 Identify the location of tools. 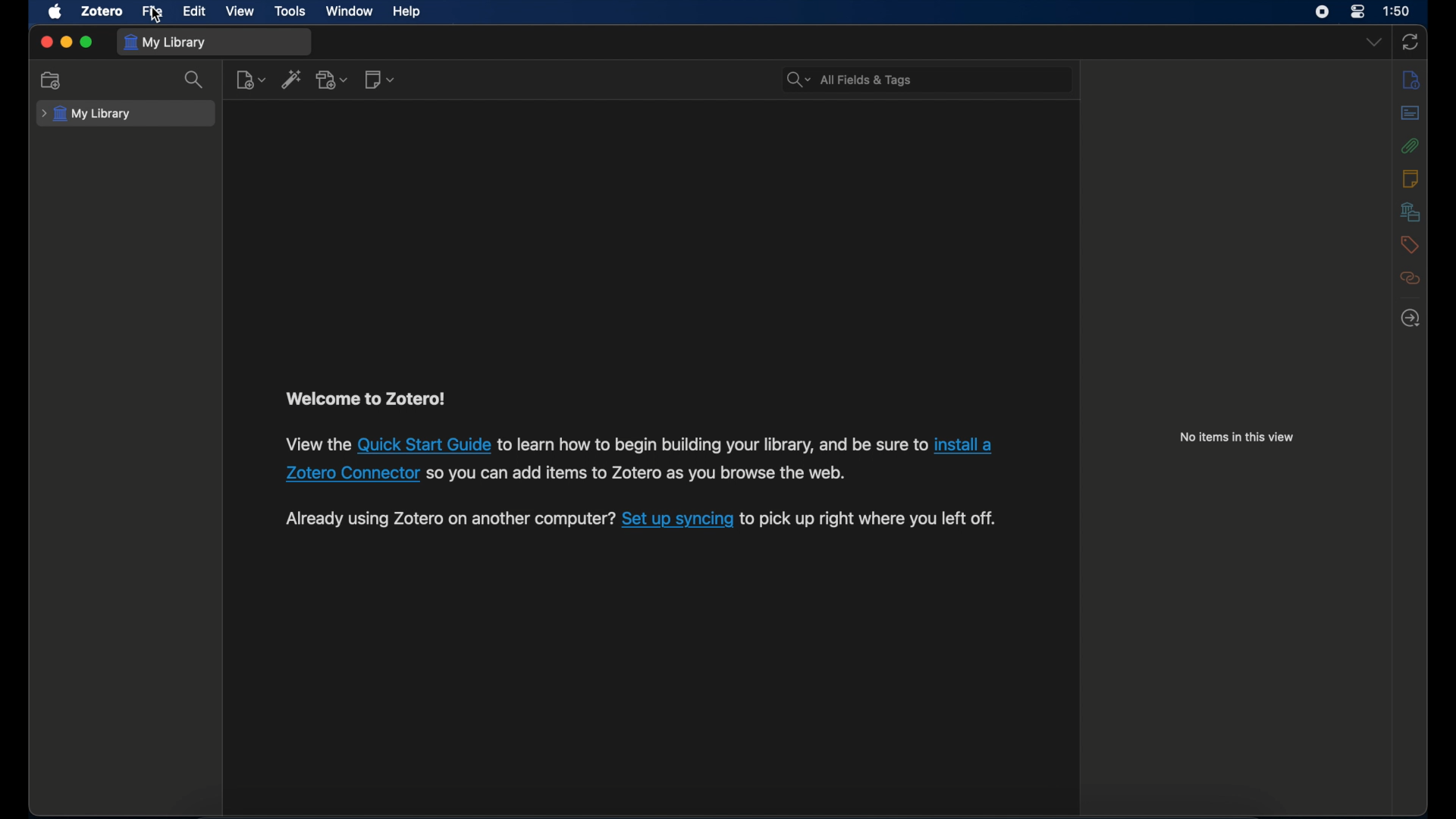
(290, 11).